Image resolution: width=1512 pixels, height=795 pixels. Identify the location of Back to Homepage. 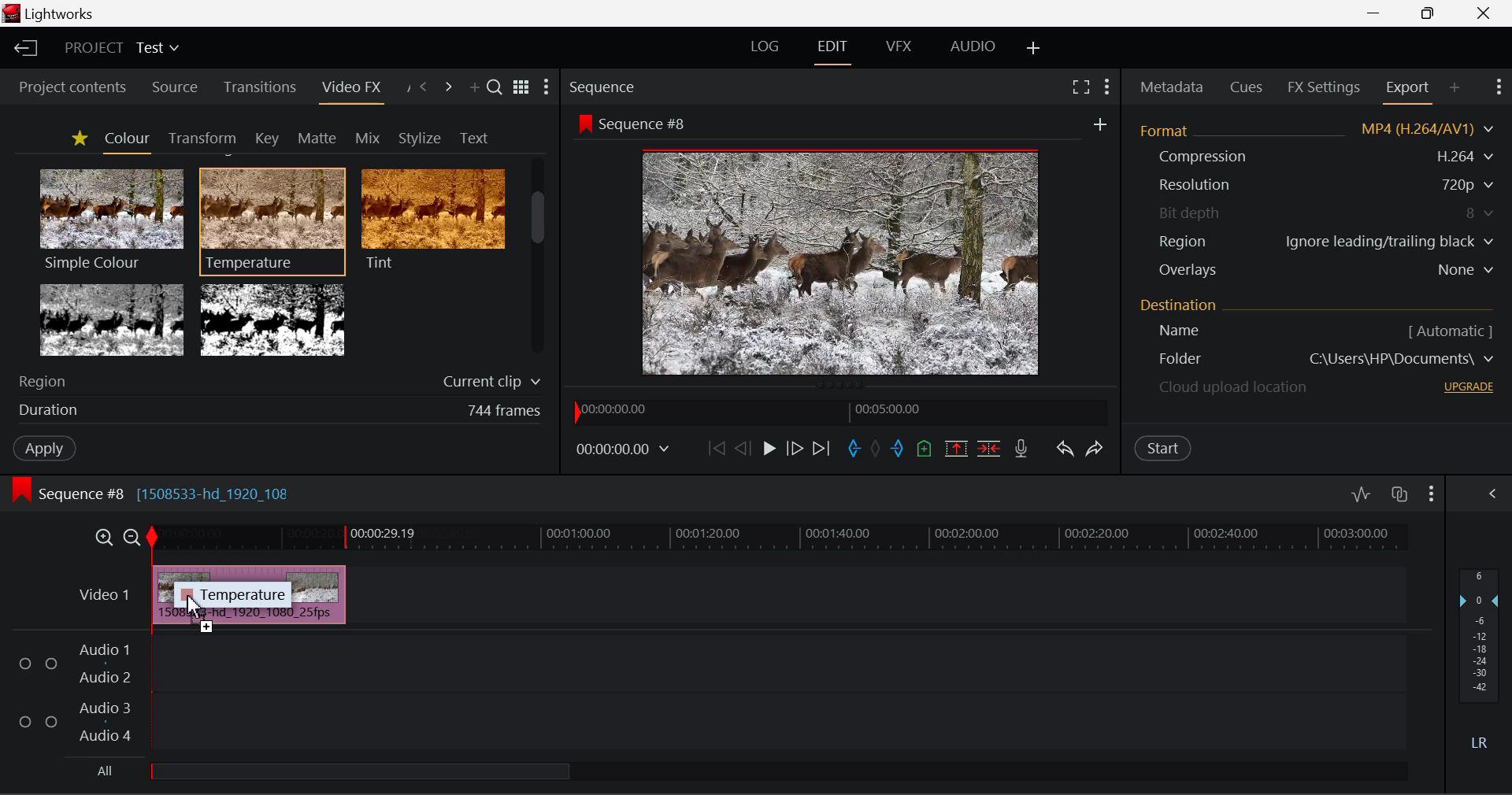
(24, 46).